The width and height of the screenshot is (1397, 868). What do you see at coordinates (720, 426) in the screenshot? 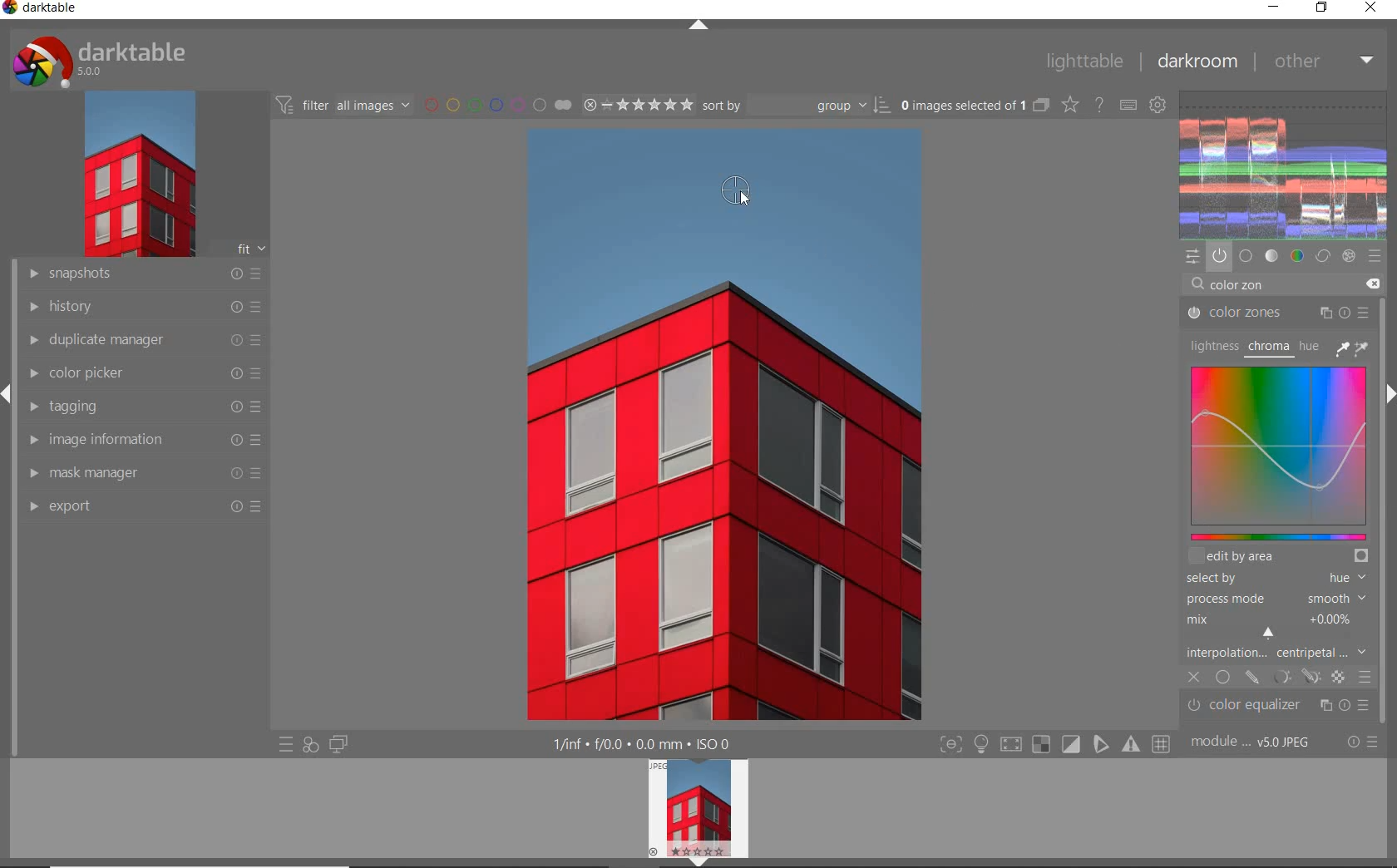
I see `selected image` at bounding box center [720, 426].